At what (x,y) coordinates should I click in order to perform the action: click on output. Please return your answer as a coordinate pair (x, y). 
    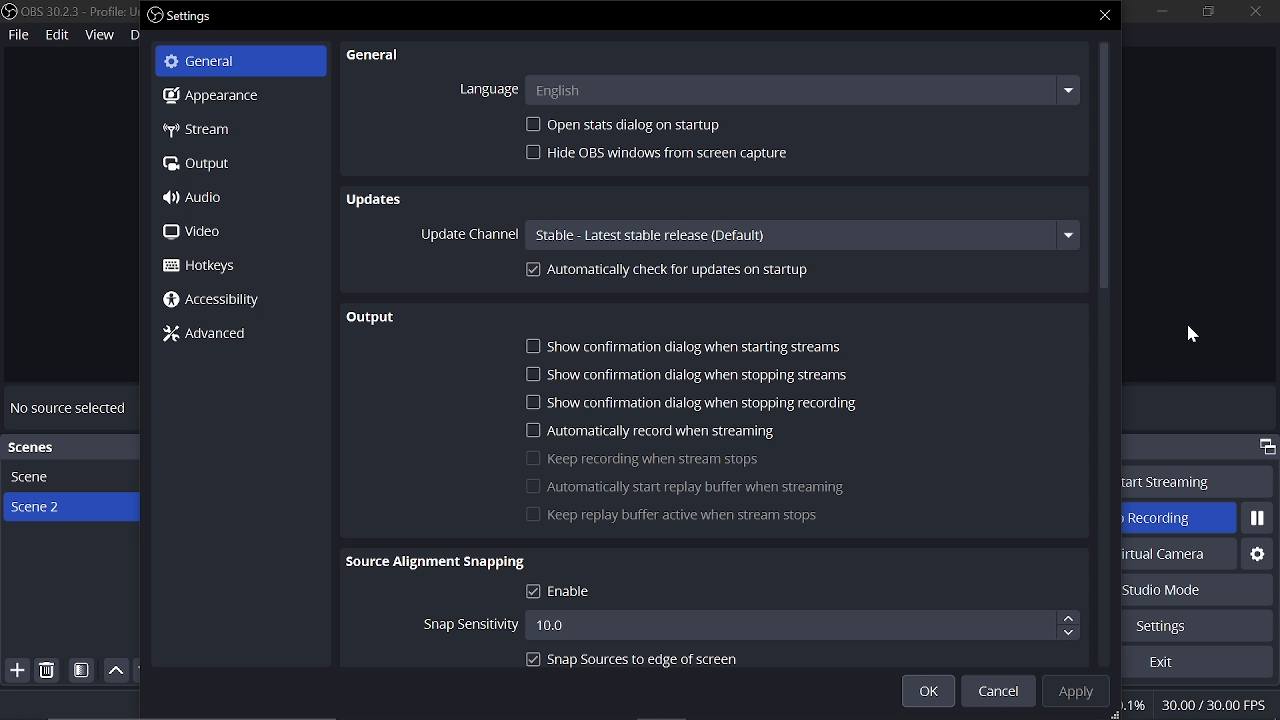
    Looking at the image, I should click on (375, 318).